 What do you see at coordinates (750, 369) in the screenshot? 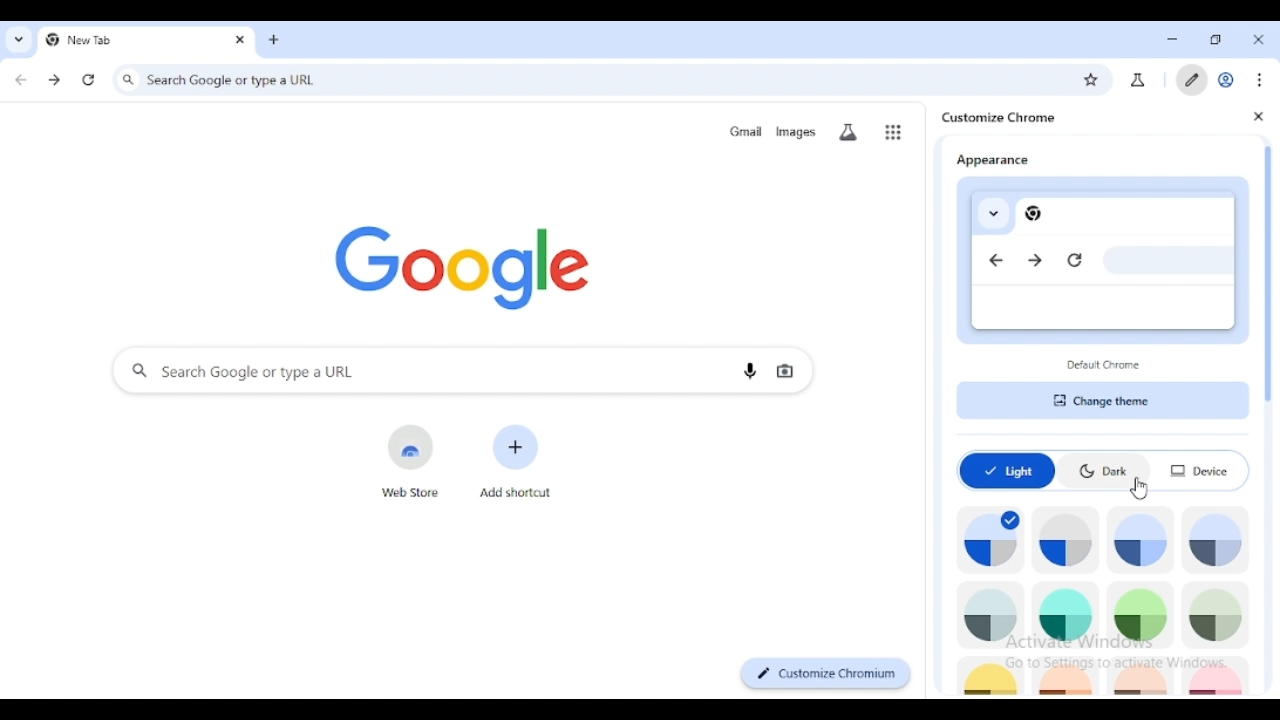
I see `search by voice` at bounding box center [750, 369].